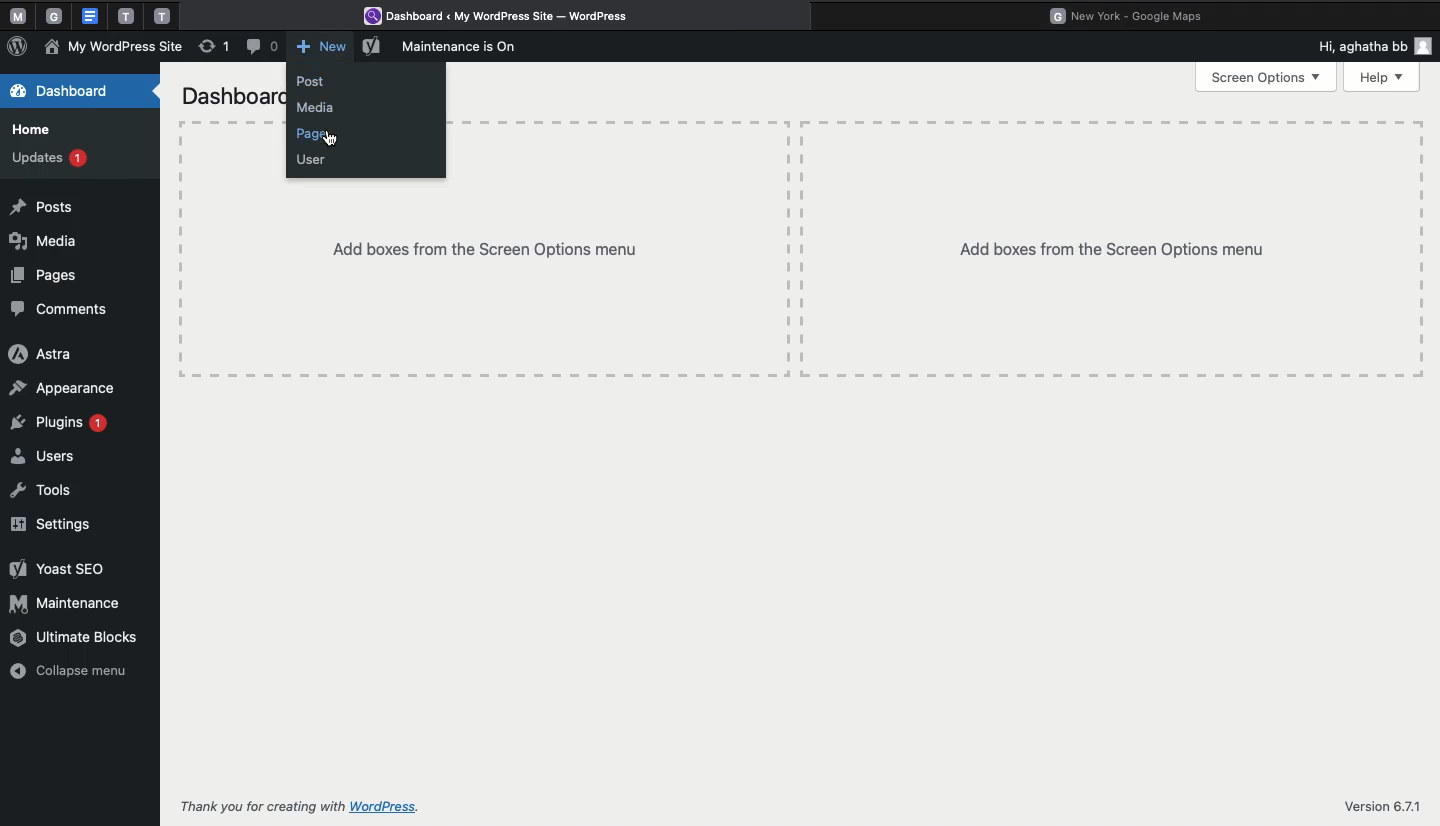 The height and width of the screenshot is (826, 1440). Describe the element at coordinates (313, 161) in the screenshot. I see `User` at that location.